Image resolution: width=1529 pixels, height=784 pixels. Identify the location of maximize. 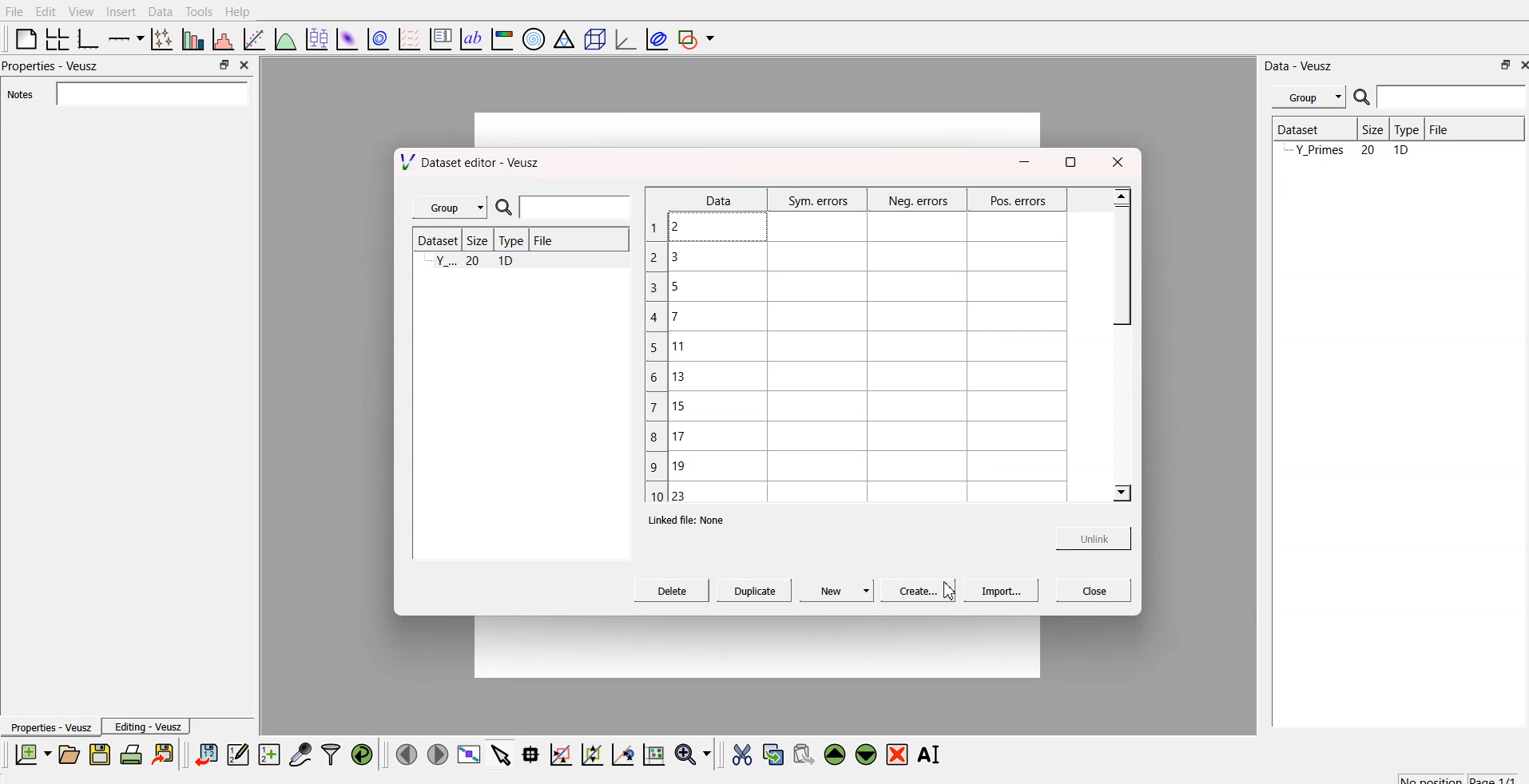
(220, 65).